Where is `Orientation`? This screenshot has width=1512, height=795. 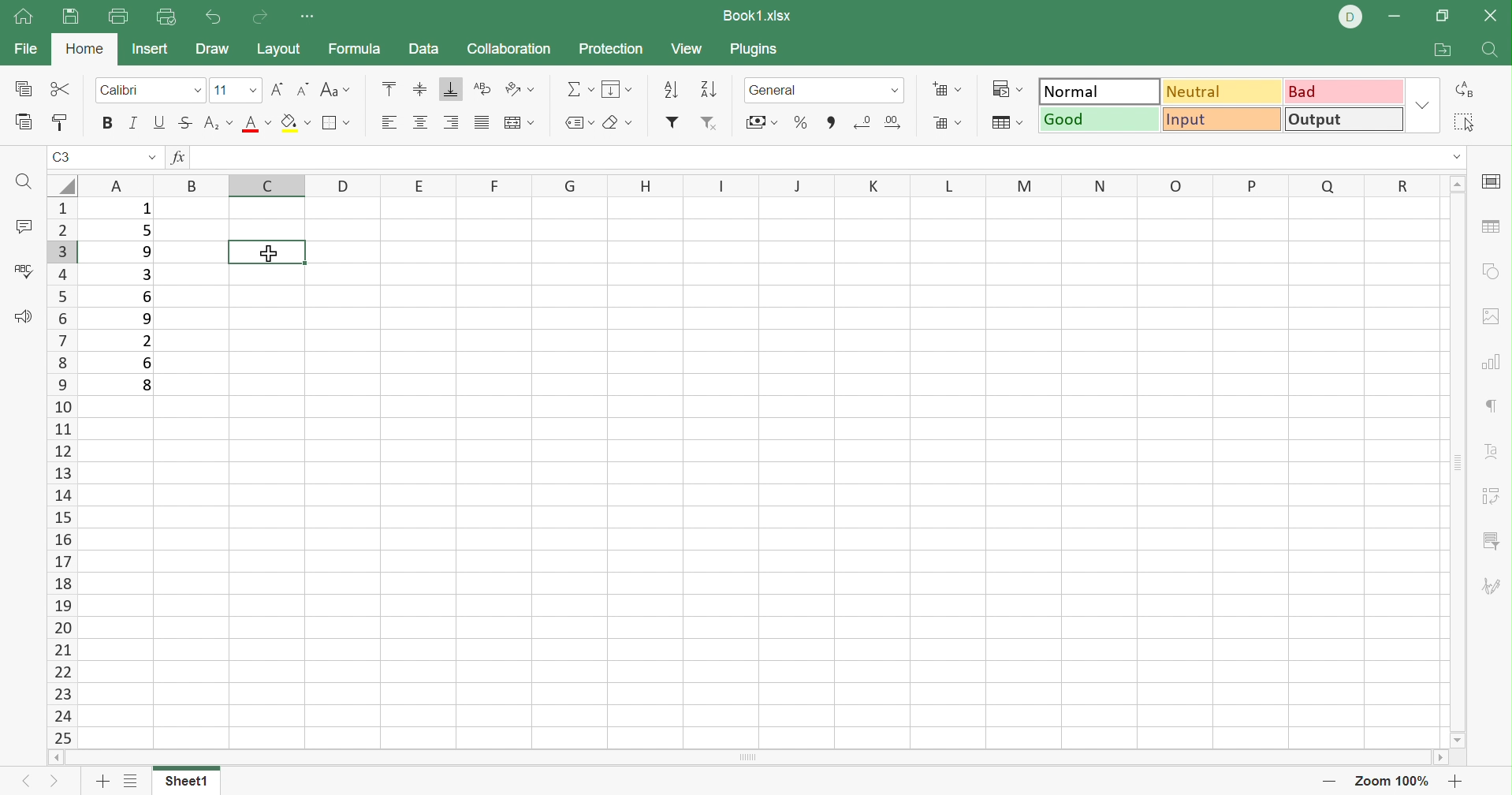 Orientation is located at coordinates (520, 89).